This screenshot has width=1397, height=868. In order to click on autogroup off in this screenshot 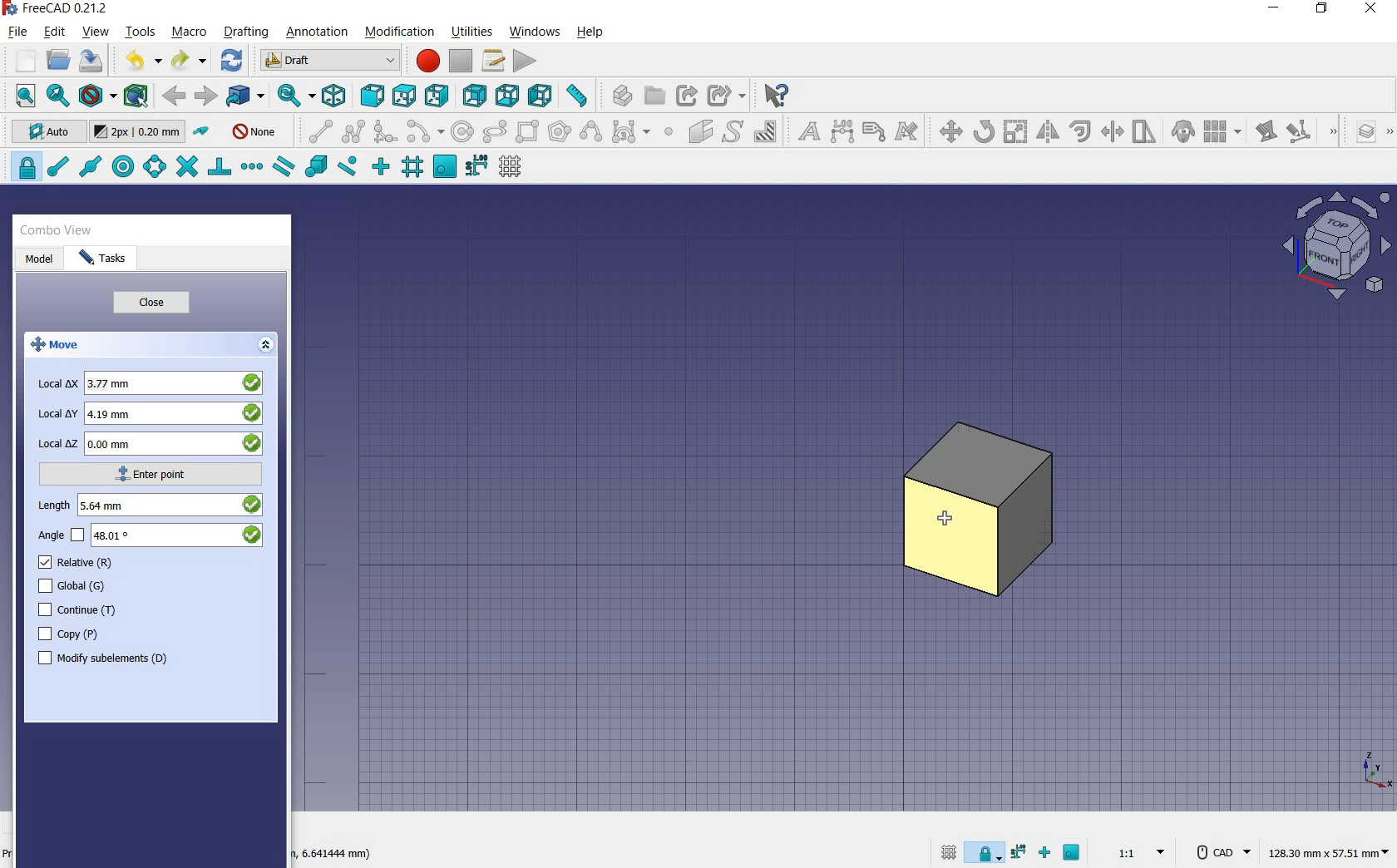, I will do `click(254, 133)`.